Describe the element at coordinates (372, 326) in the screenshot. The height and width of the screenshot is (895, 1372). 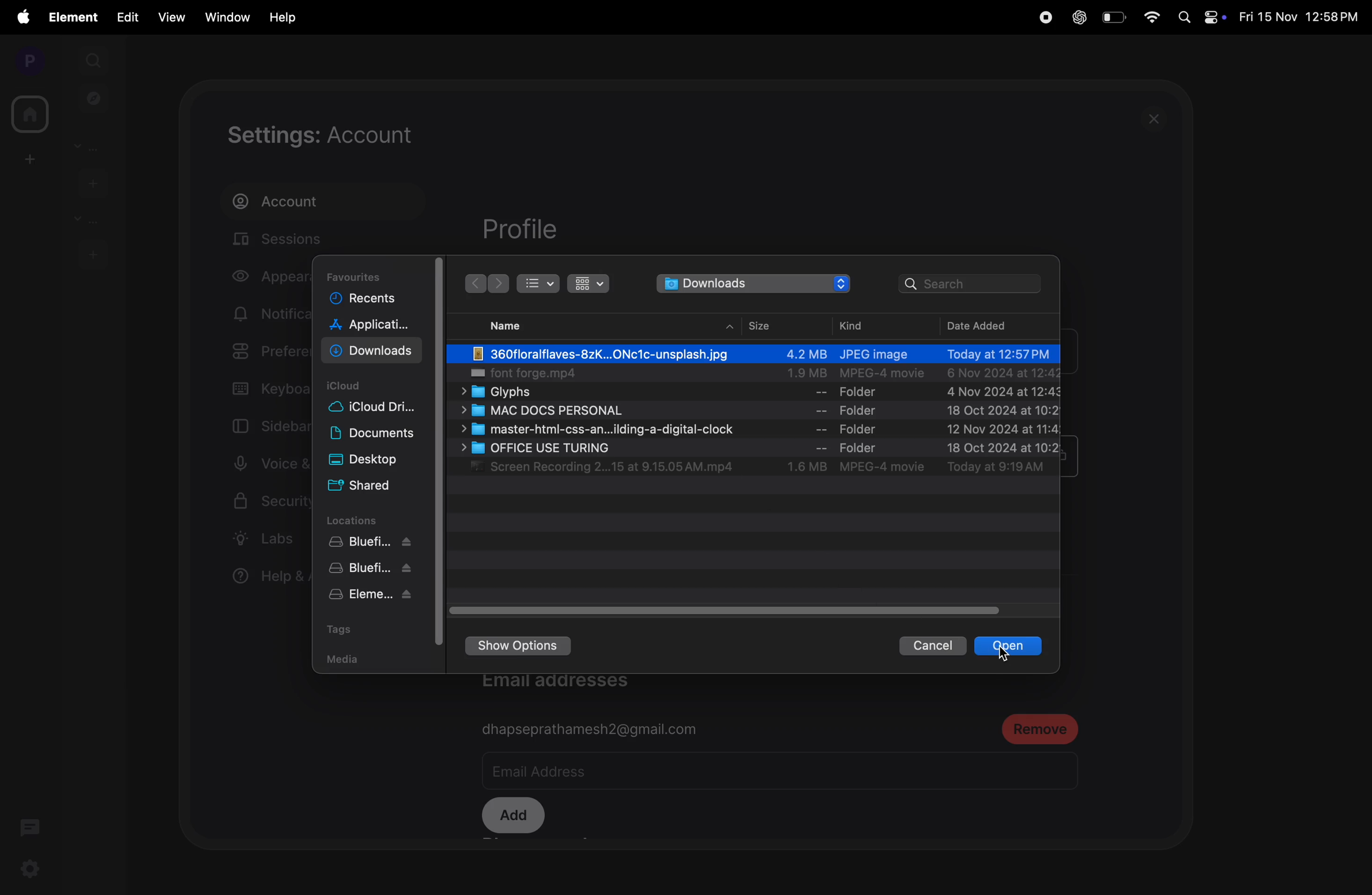
I see `applications` at that location.